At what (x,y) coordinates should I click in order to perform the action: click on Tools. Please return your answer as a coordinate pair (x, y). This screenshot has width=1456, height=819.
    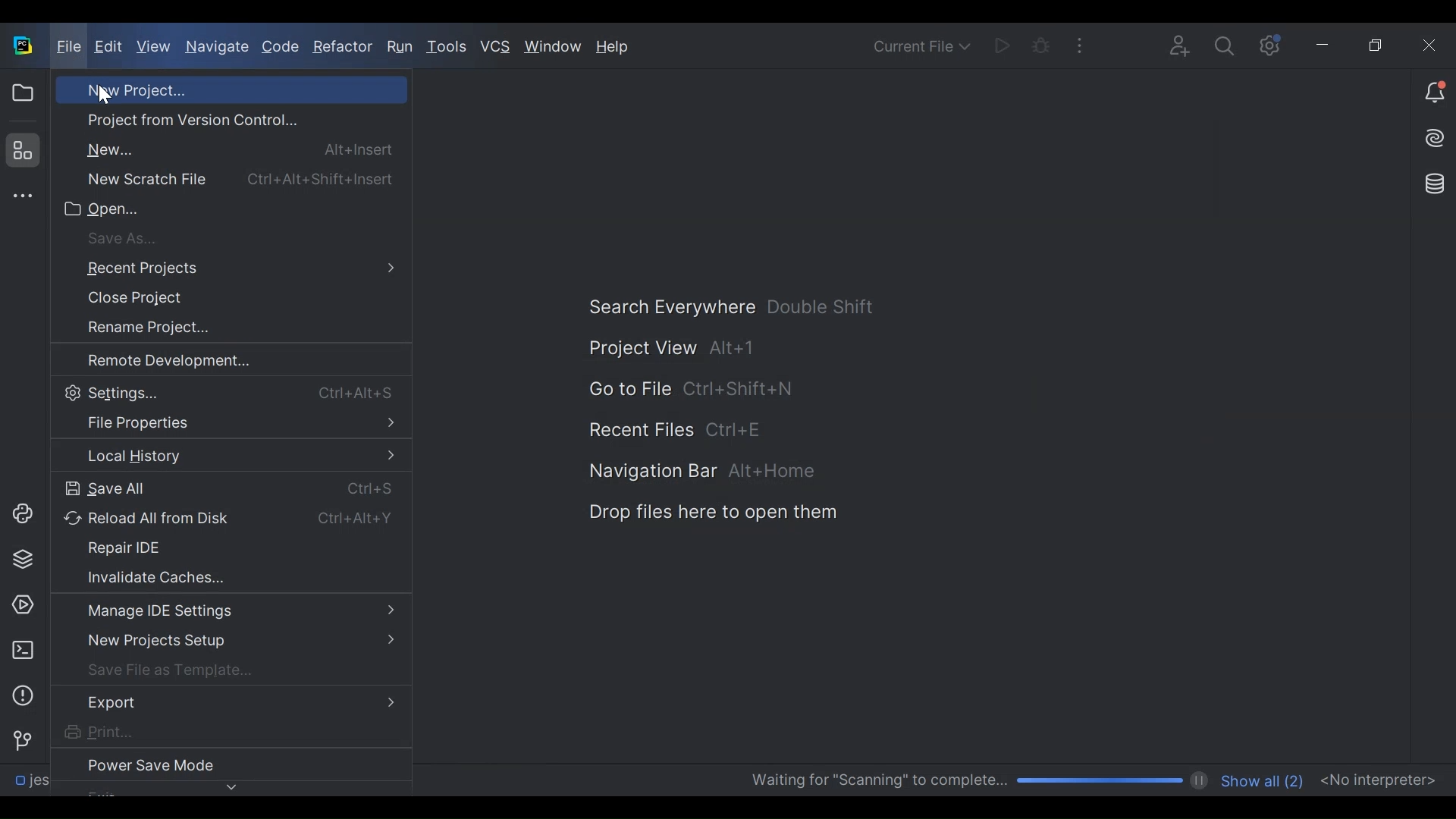
    Looking at the image, I should click on (446, 45).